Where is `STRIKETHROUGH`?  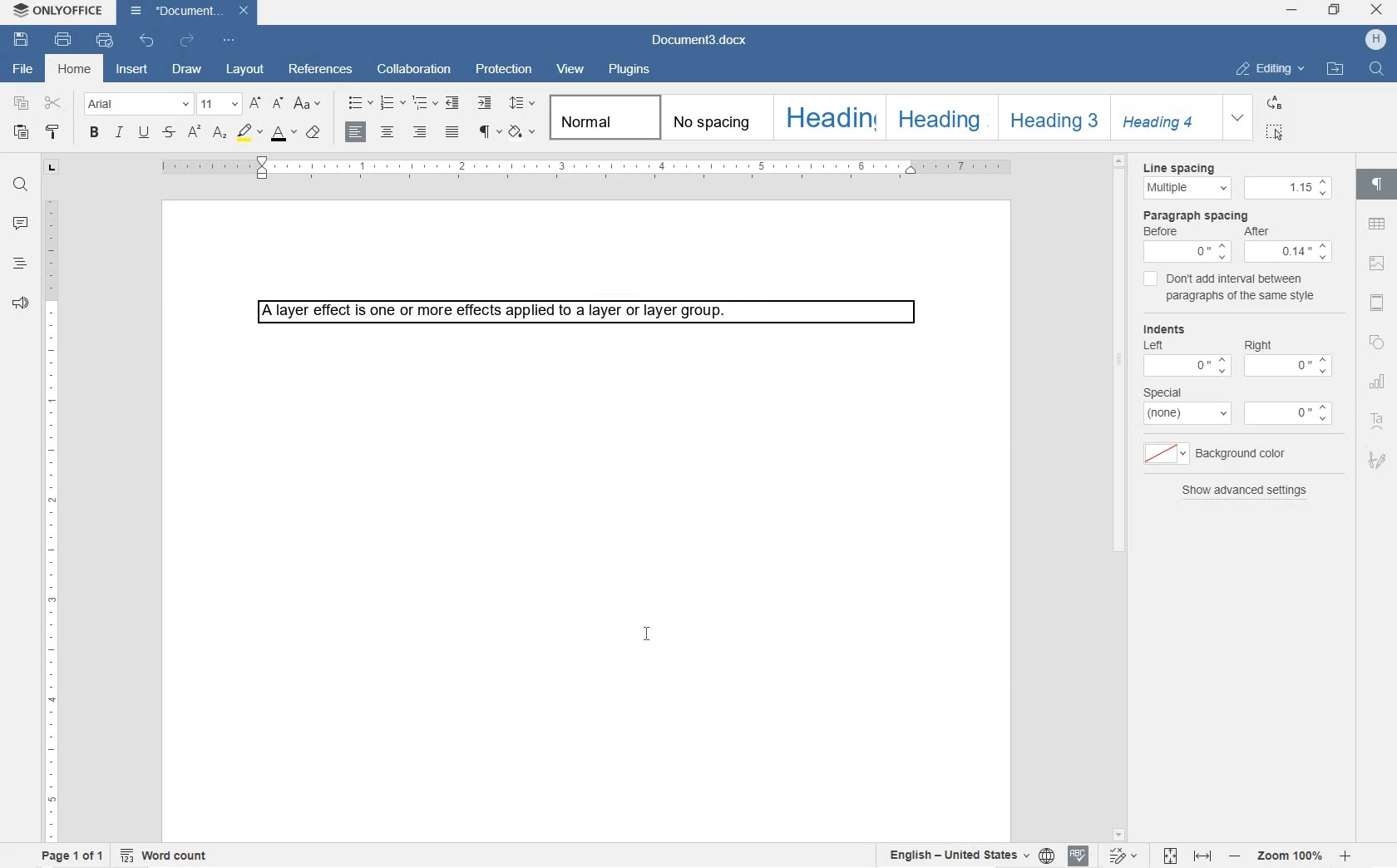 STRIKETHROUGH is located at coordinates (168, 131).